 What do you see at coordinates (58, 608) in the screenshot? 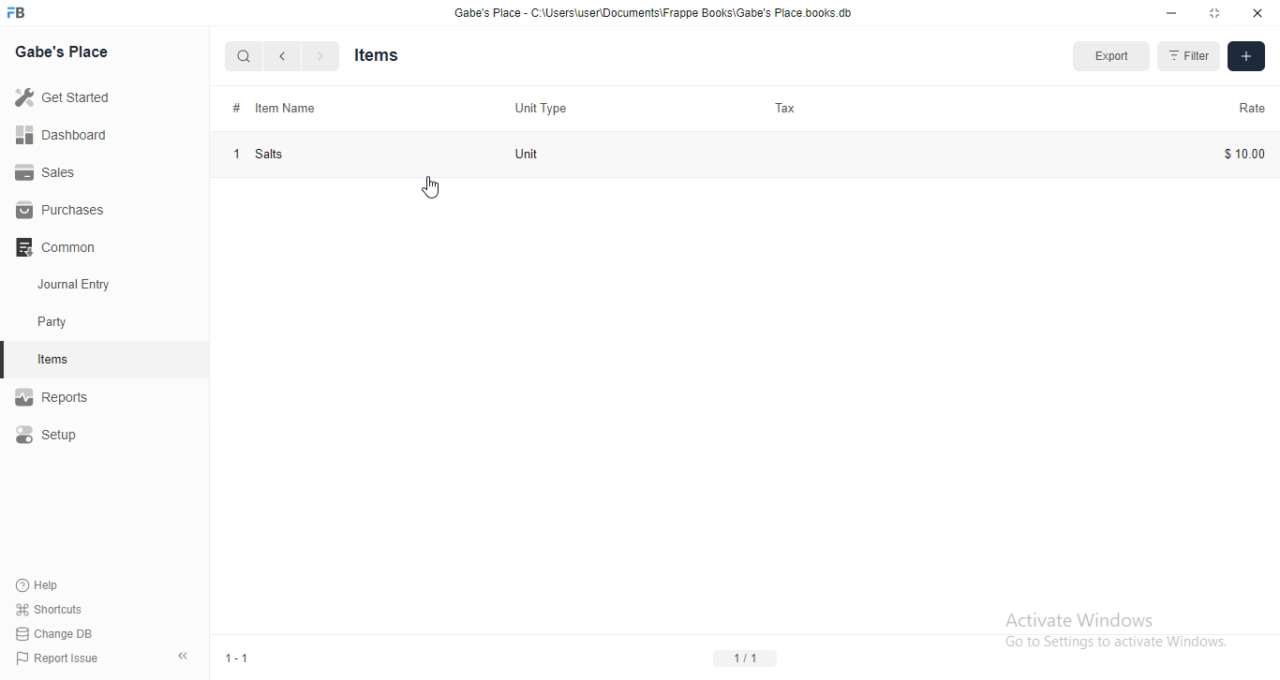
I see `‘Shortcuts` at bounding box center [58, 608].